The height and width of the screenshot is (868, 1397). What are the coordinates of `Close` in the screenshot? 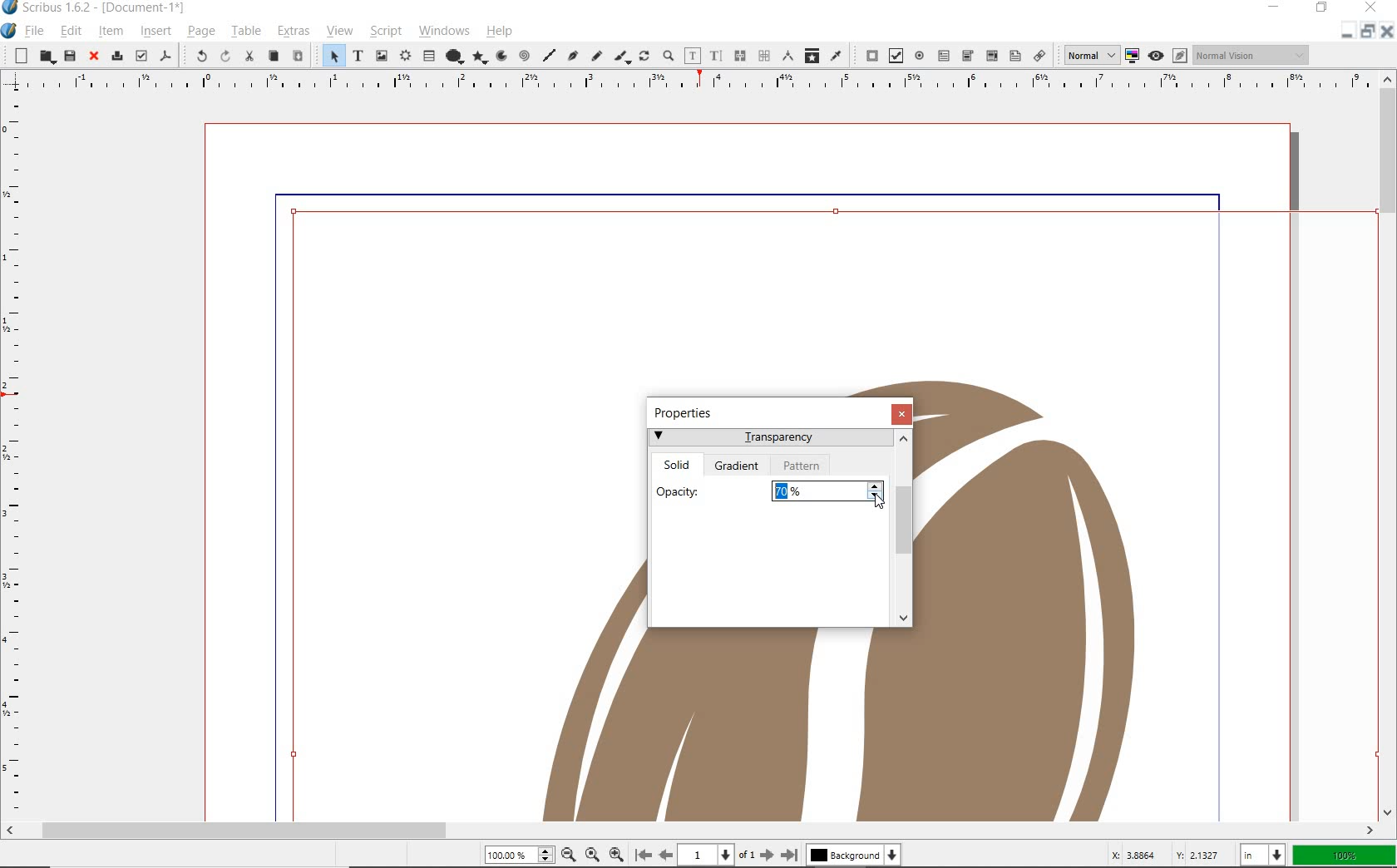 It's located at (1389, 31).